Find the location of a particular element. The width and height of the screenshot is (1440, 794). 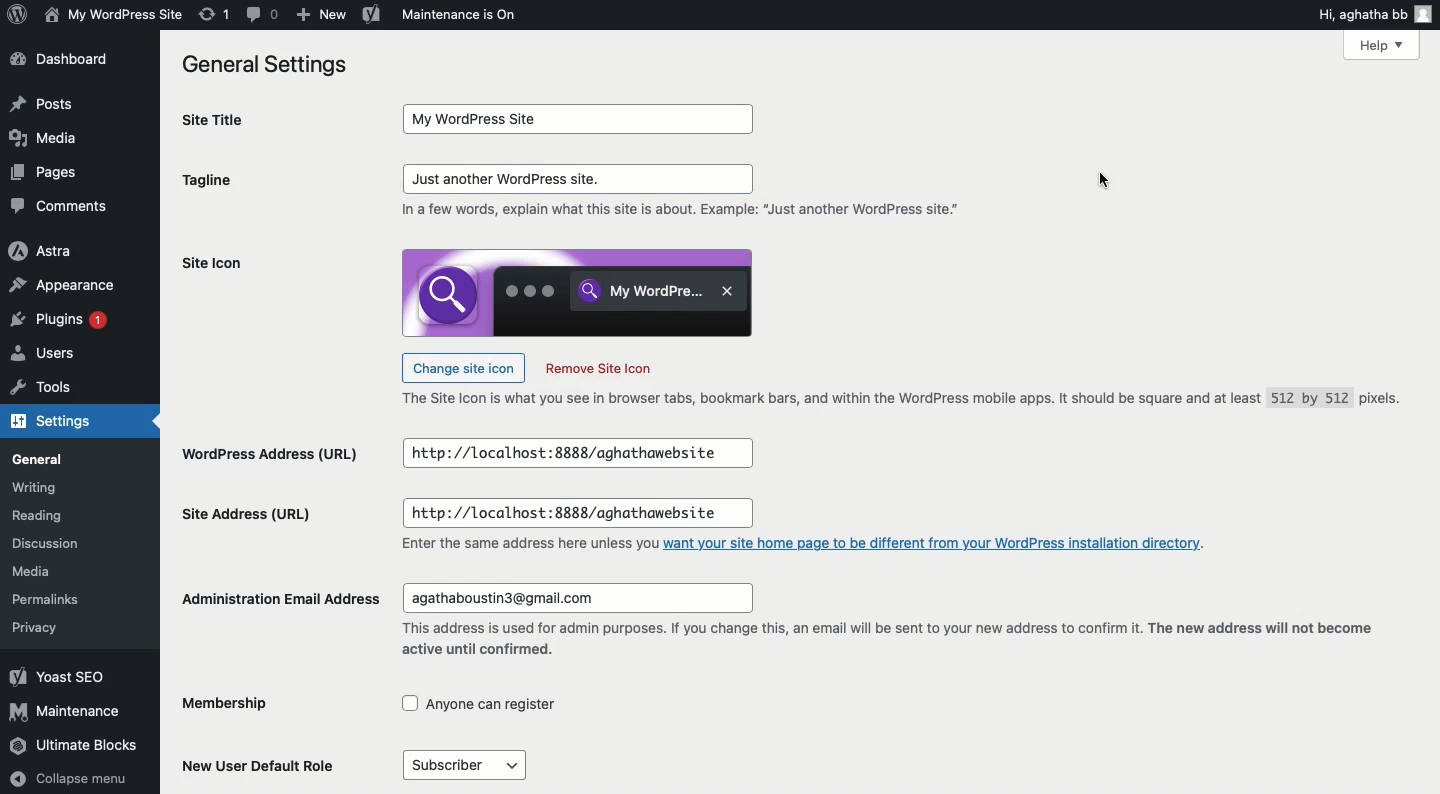

Tools is located at coordinates (43, 391).